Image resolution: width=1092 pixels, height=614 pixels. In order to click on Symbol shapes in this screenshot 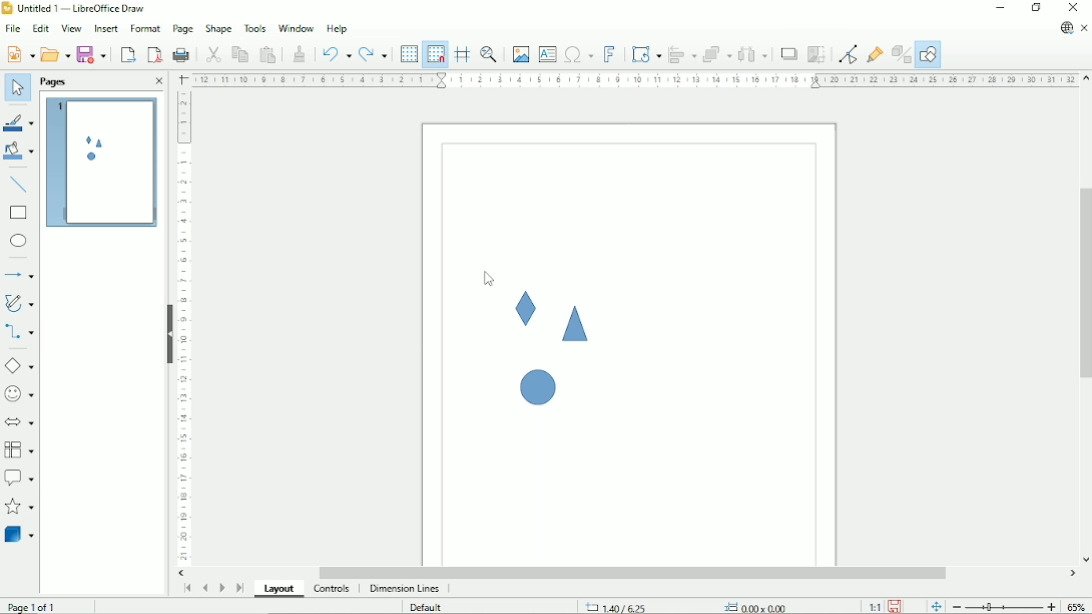, I will do `click(20, 393)`.